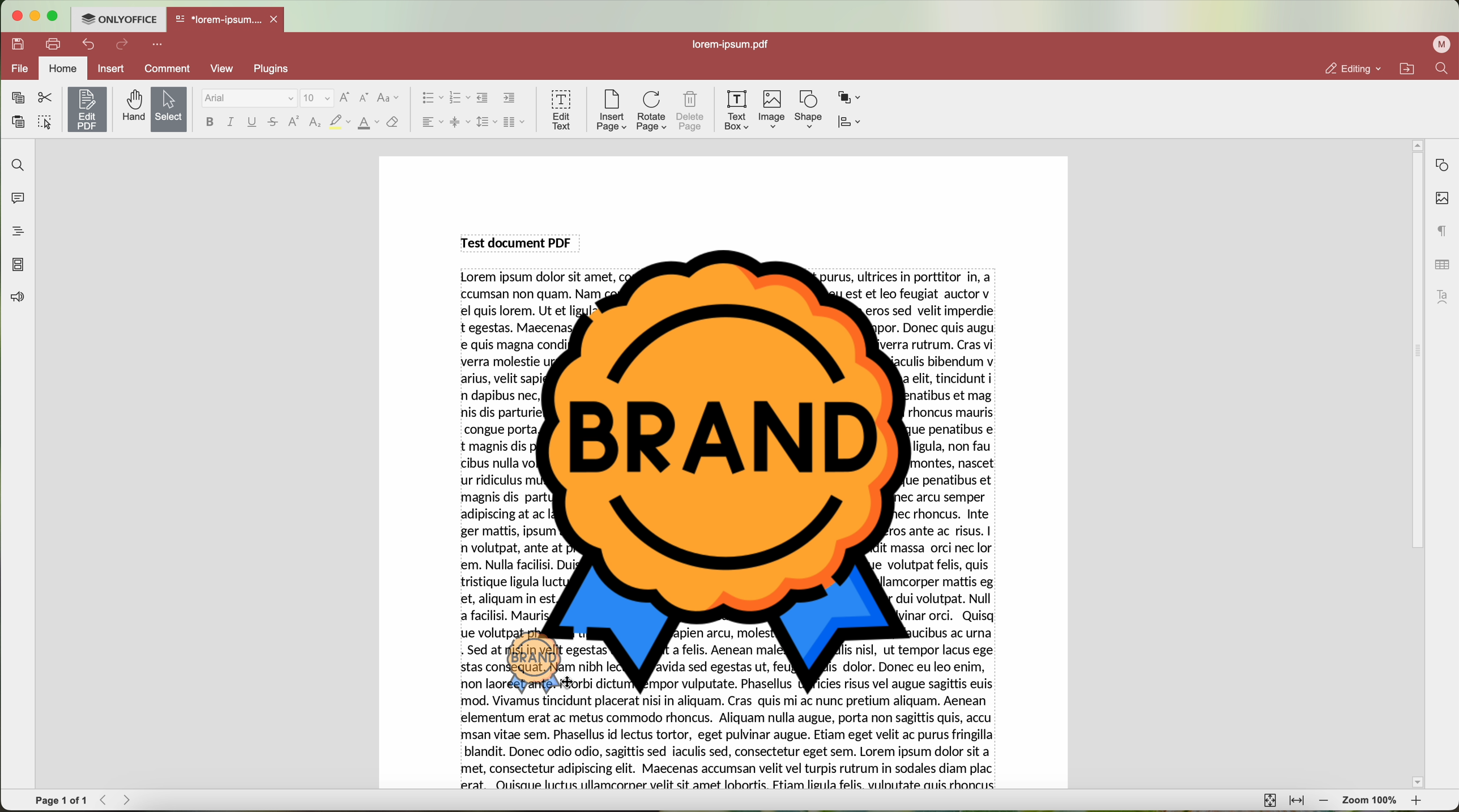 This screenshot has width=1459, height=812. Describe the element at coordinates (1442, 199) in the screenshot. I see `image settings` at that location.